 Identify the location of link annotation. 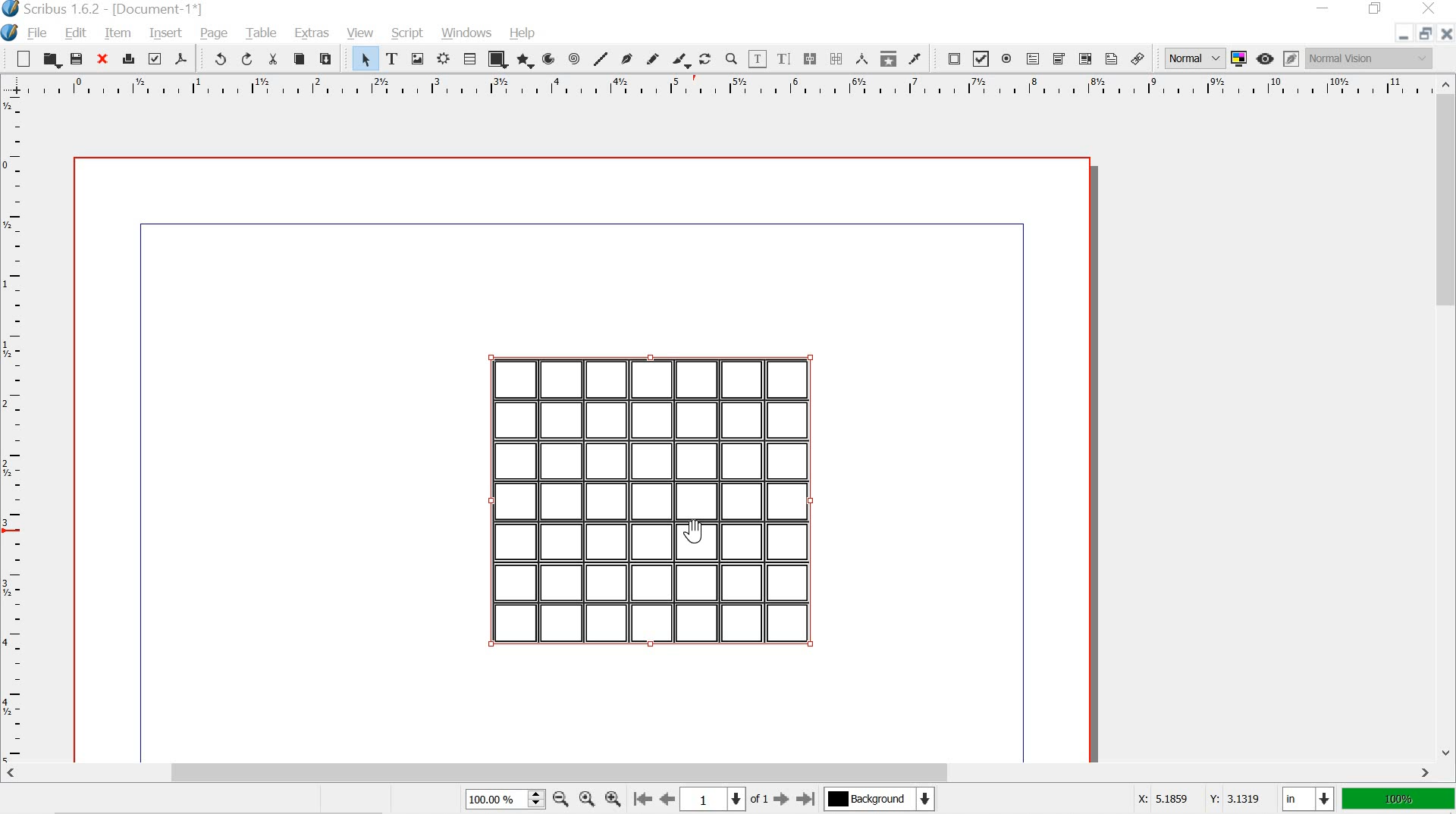
(1137, 58).